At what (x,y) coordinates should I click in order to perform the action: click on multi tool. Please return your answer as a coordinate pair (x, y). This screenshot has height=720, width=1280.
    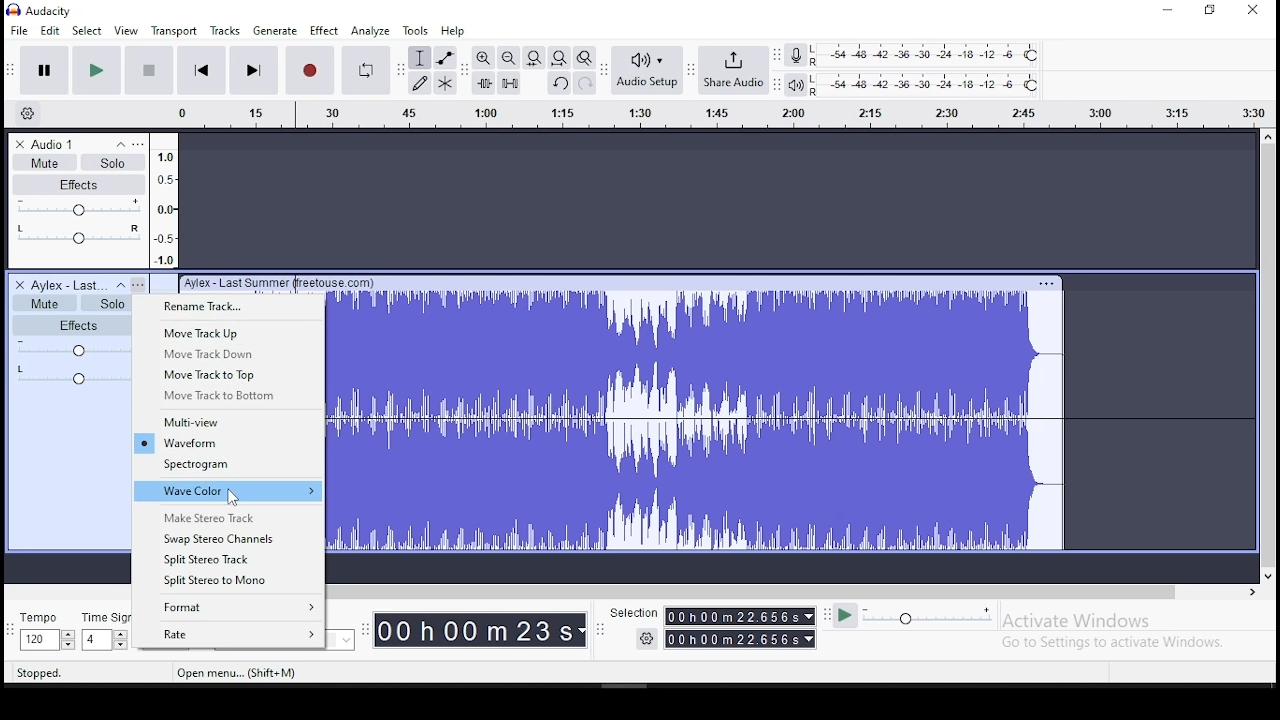
    Looking at the image, I should click on (444, 83).